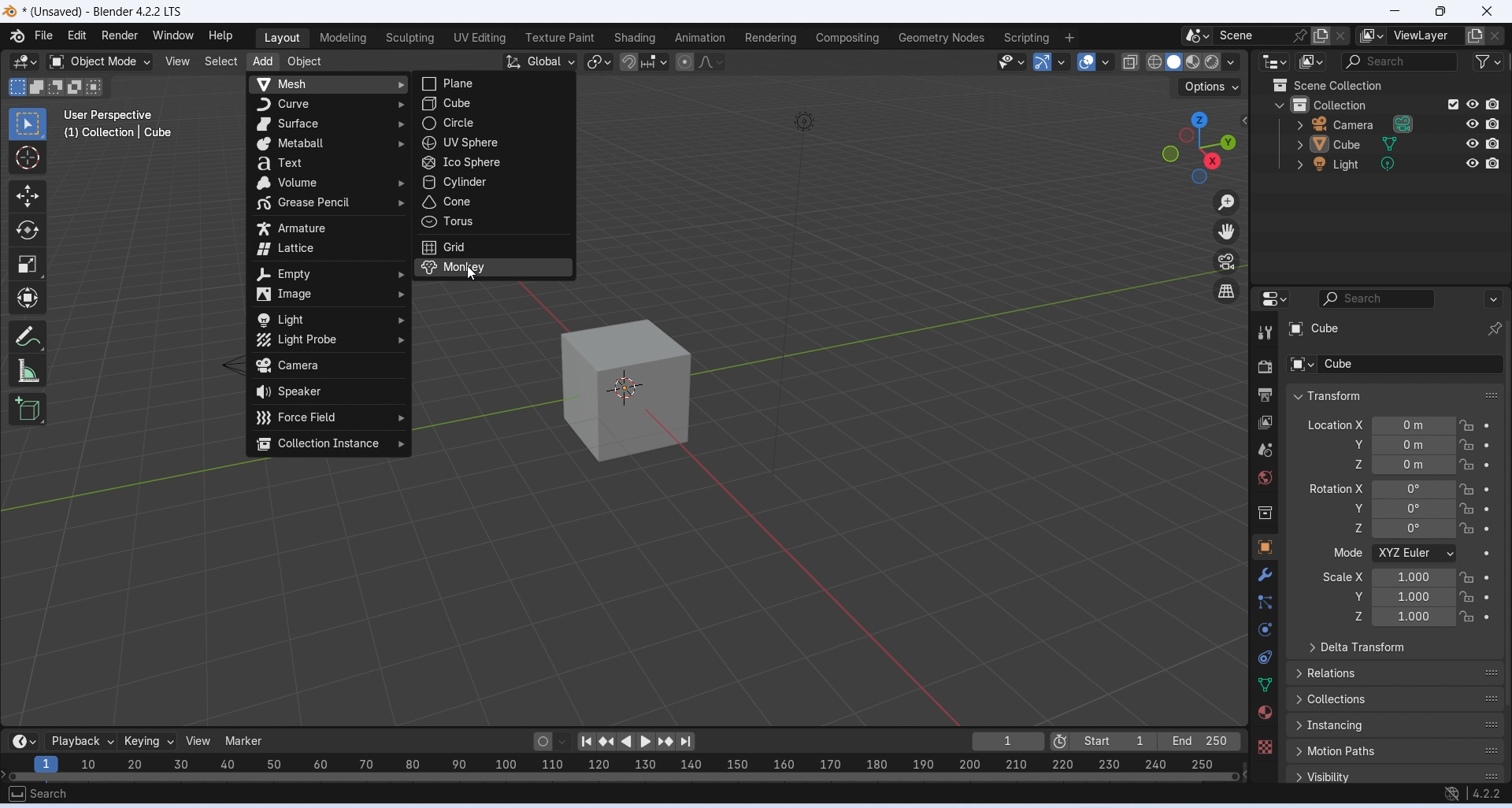 The image size is (1512, 808). What do you see at coordinates (1363, 85) in the screenshot?
I see `scene collection` at bounding box center [1363, 85].